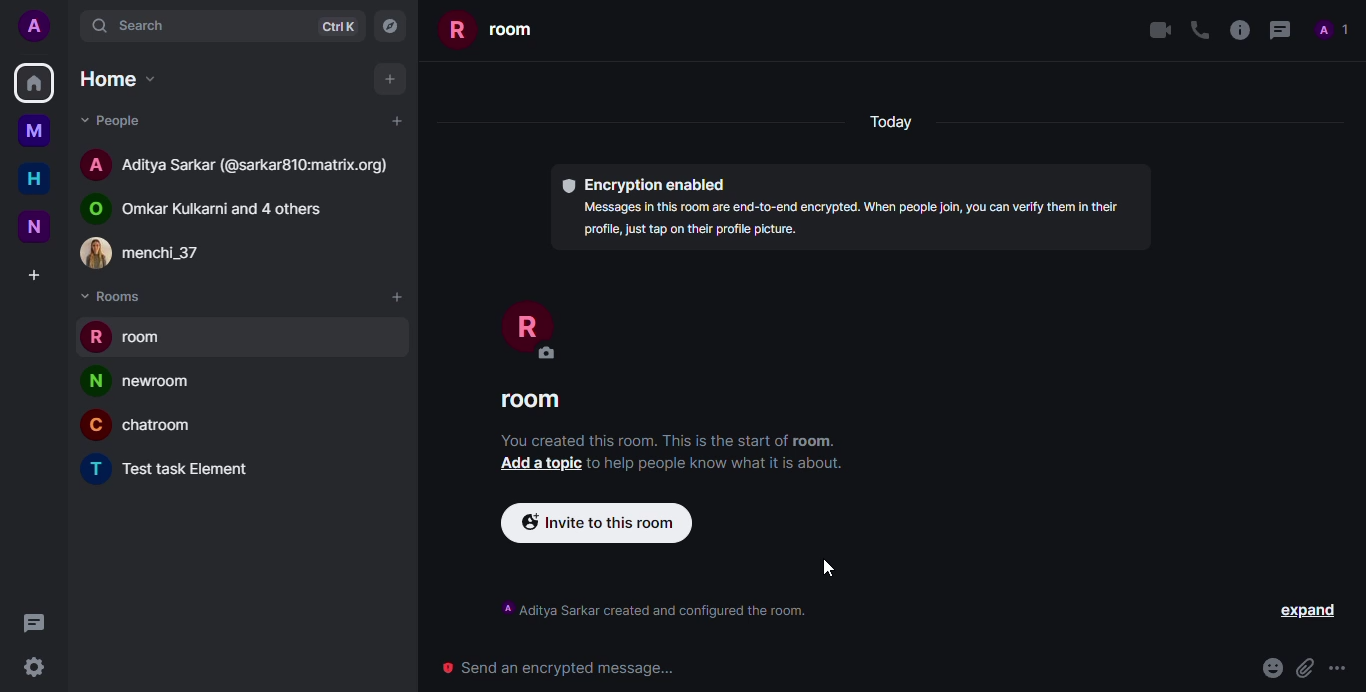 The height and width of the screenshot is (692, 1366). What do you see at coordinates (237, 162) in the screenshot?
I see `Aditya sarkar room` at bounding box center [237, 162].